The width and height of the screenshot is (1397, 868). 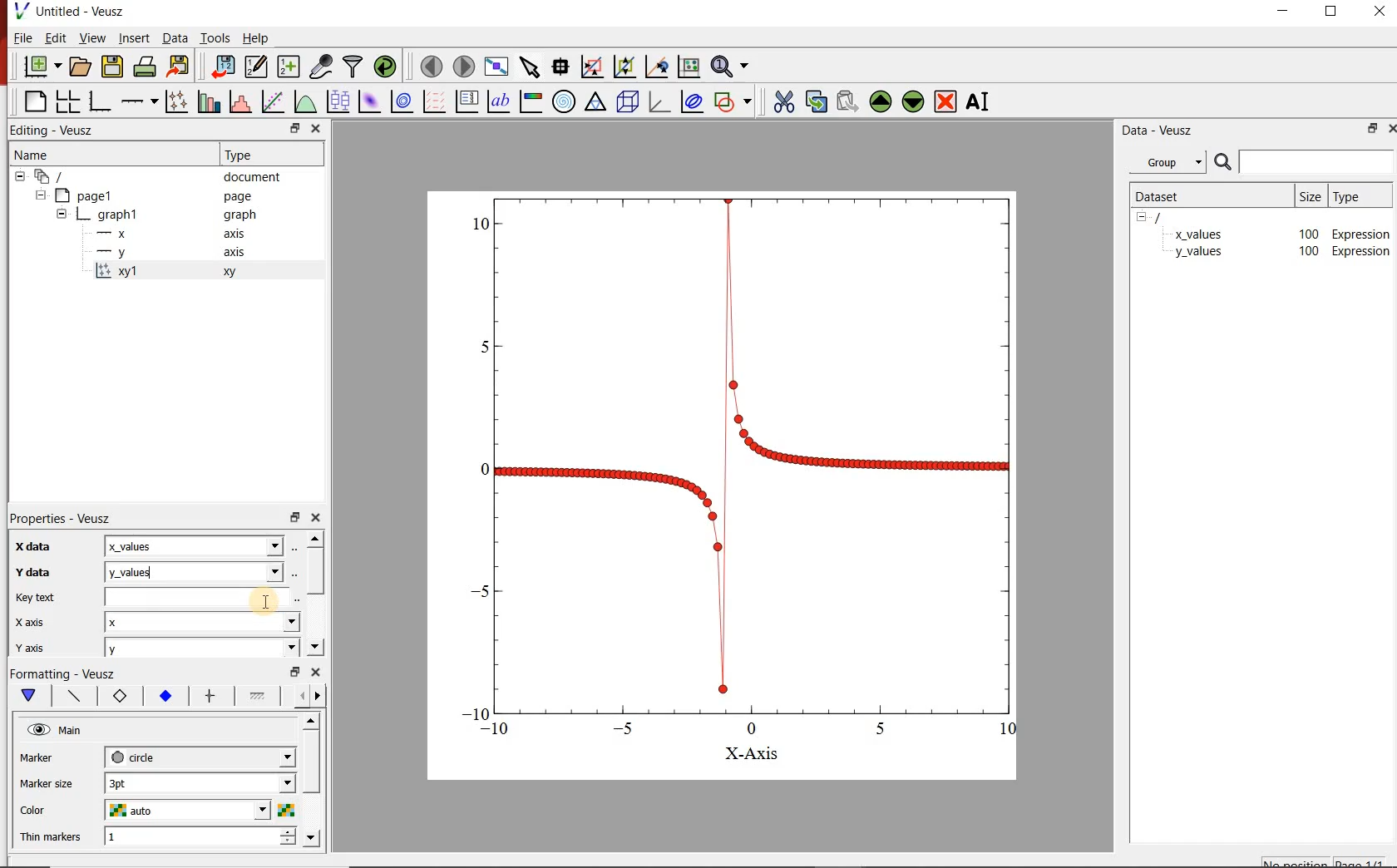 I want to click on plot points, so click(x=175, y=102).